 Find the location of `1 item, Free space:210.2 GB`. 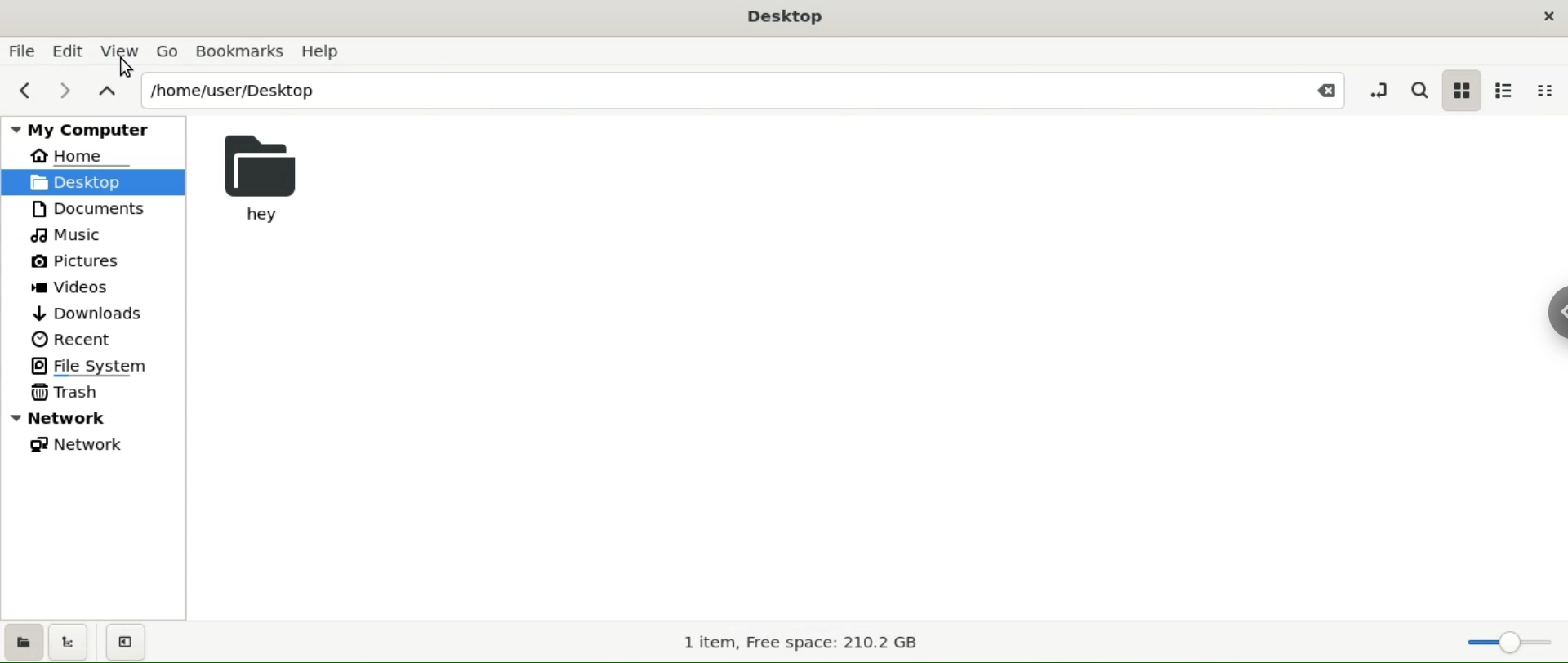

1 item, Free space:210.2 GB is located at coordinates (796, 643).